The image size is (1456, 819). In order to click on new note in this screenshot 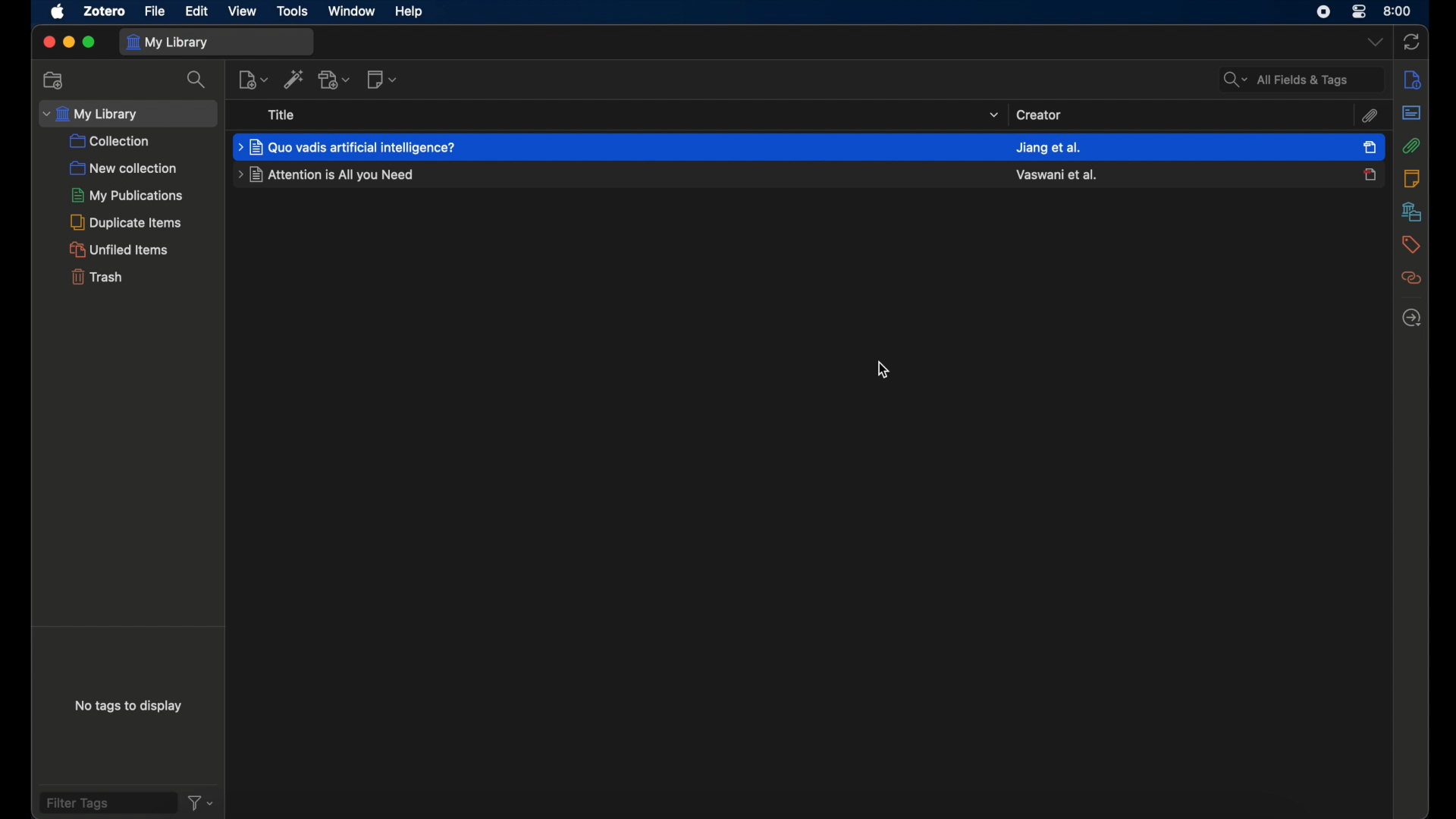, I will do `click(381, 80)`.